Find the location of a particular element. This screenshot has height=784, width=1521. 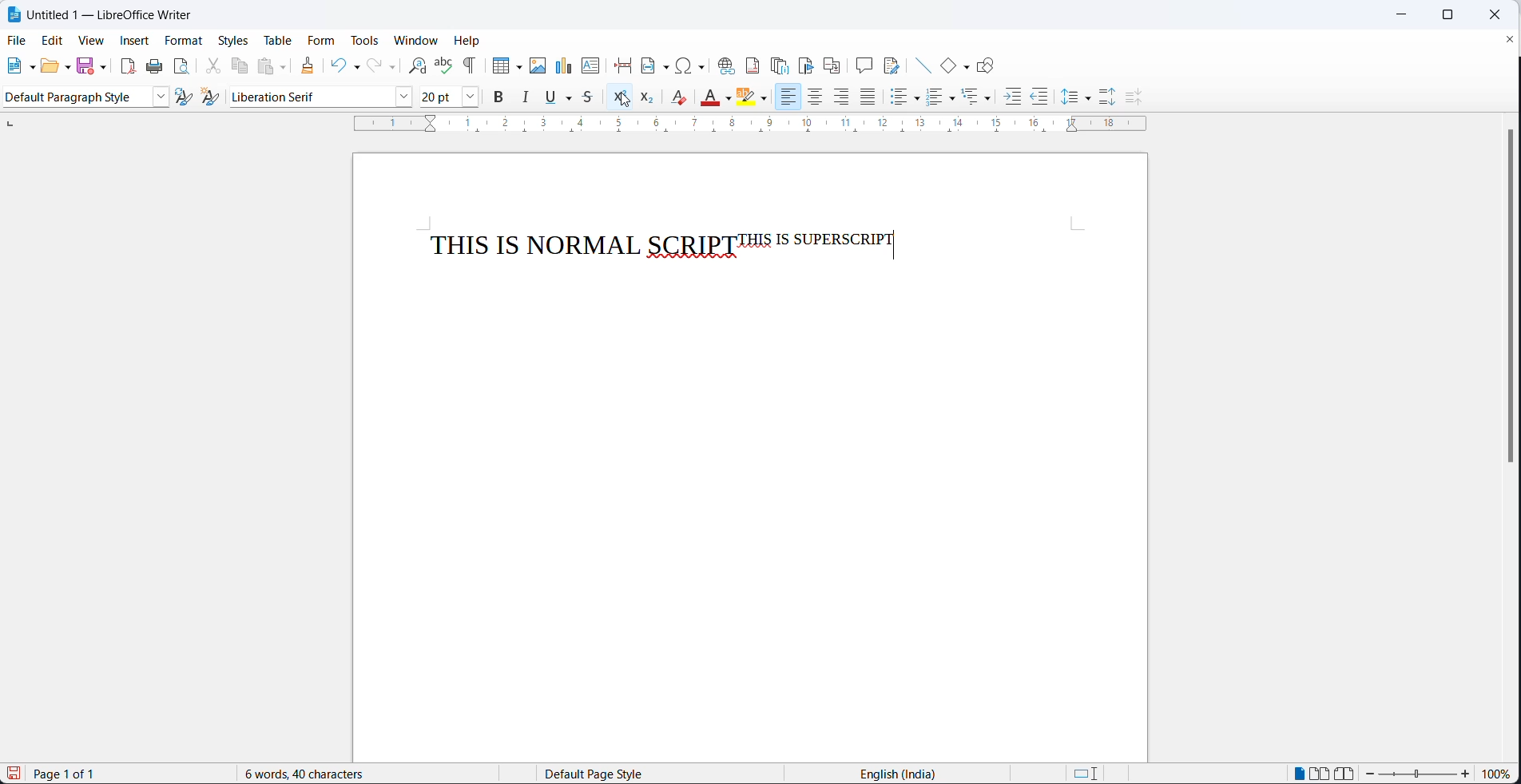

save options is located at coordinates (103, 67).